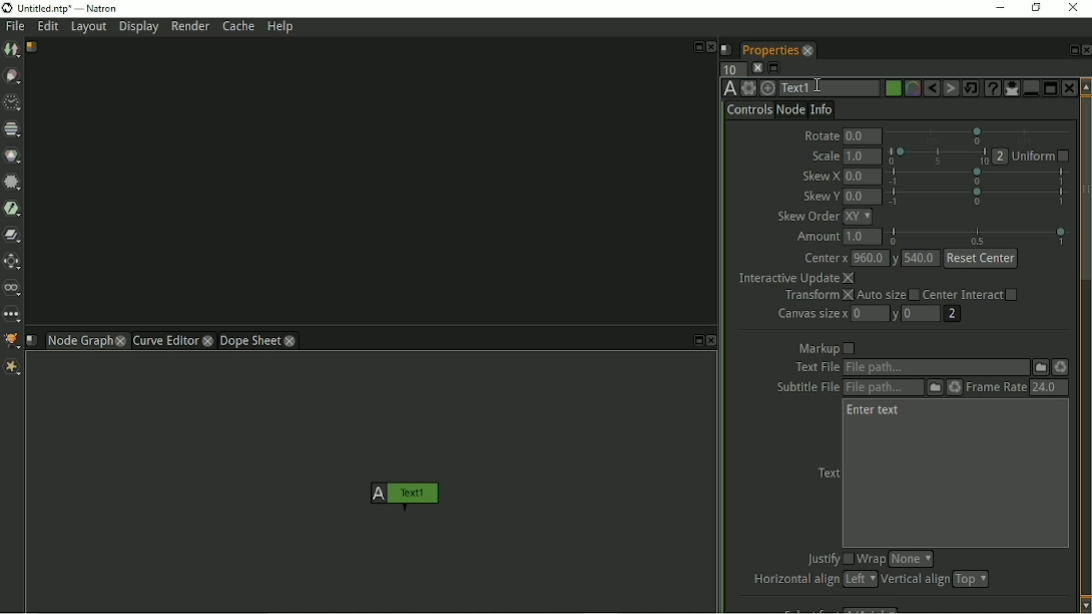 The height and width of the screenshot is (614, 1092). I want to click on Help, so click(282, 28).